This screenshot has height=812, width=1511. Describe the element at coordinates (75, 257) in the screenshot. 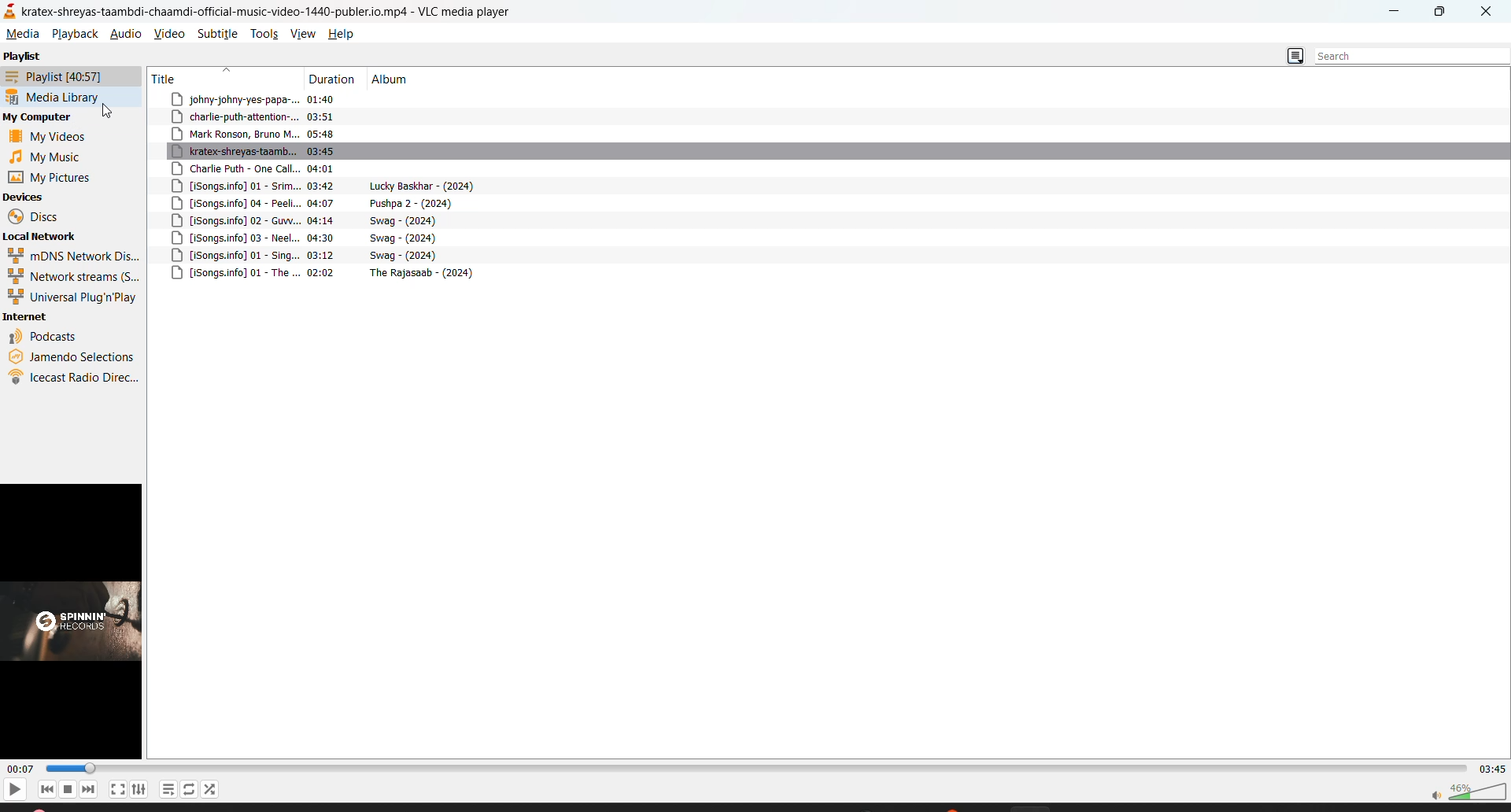

I see `mdns network` at that location.